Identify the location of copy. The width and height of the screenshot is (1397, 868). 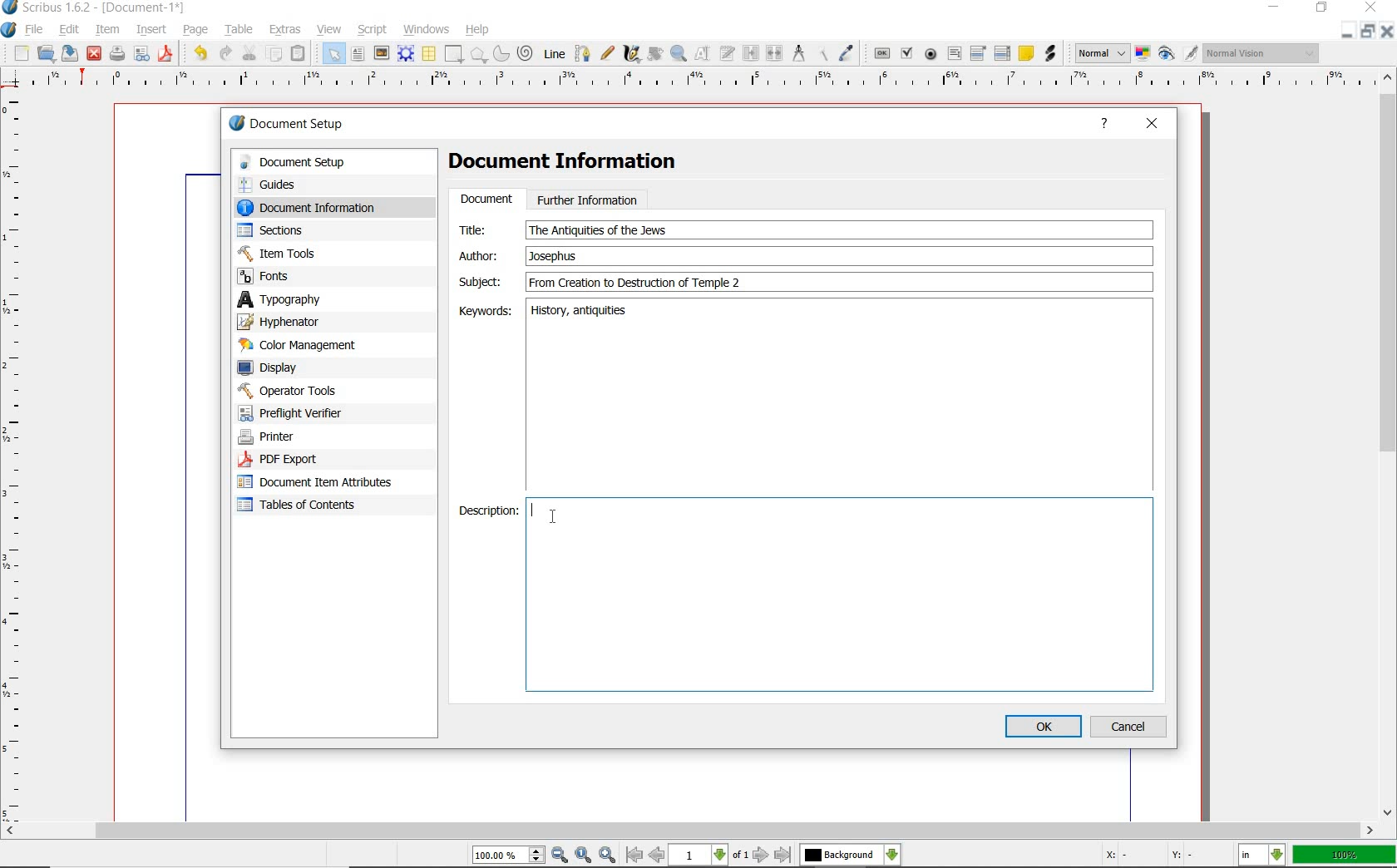
(274, 53).